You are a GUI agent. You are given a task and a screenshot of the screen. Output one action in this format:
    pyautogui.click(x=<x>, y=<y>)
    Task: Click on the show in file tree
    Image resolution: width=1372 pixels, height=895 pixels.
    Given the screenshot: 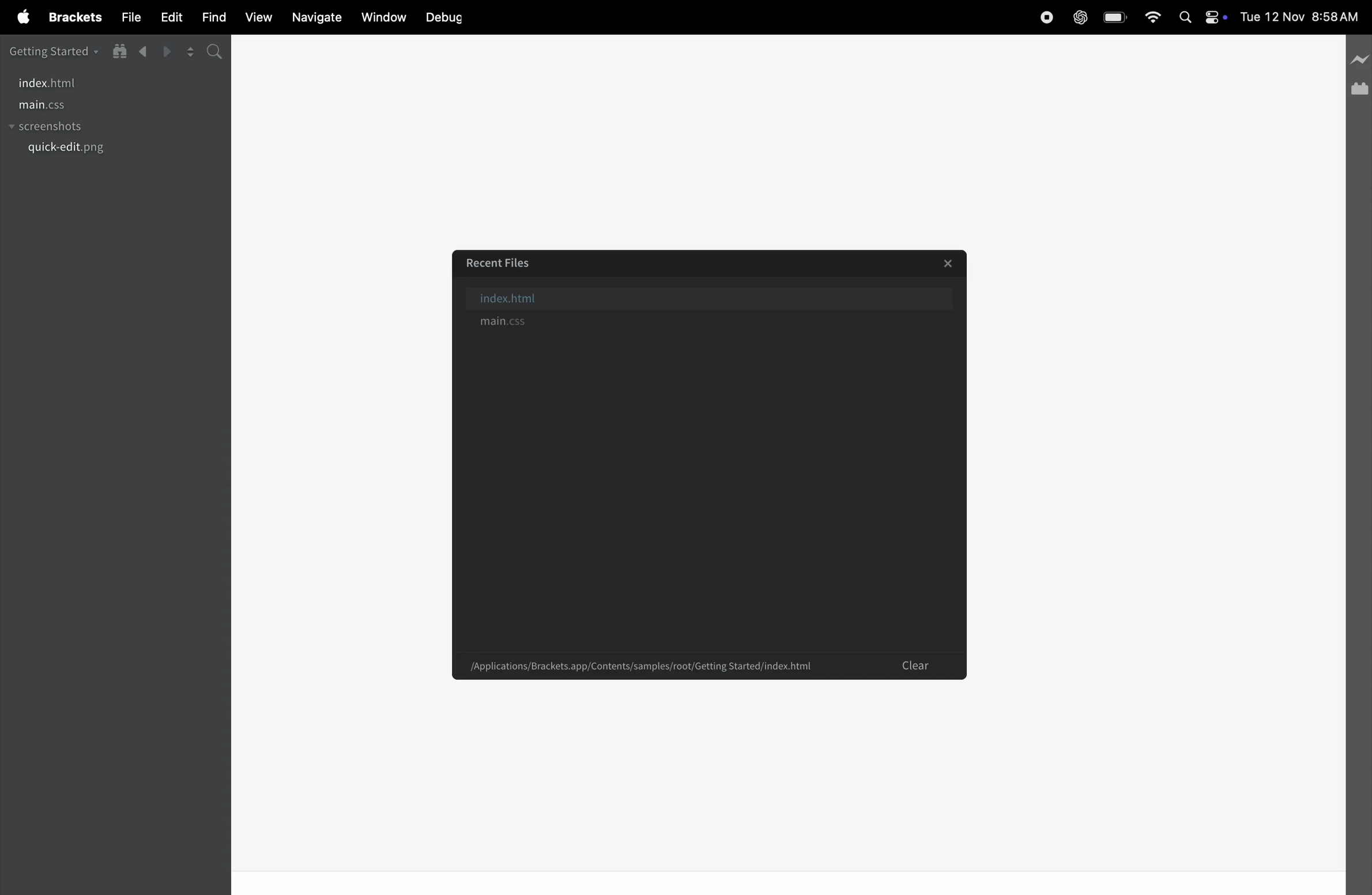 What is the action you would take?
    pyautogui.click(x=119, y=51)
    